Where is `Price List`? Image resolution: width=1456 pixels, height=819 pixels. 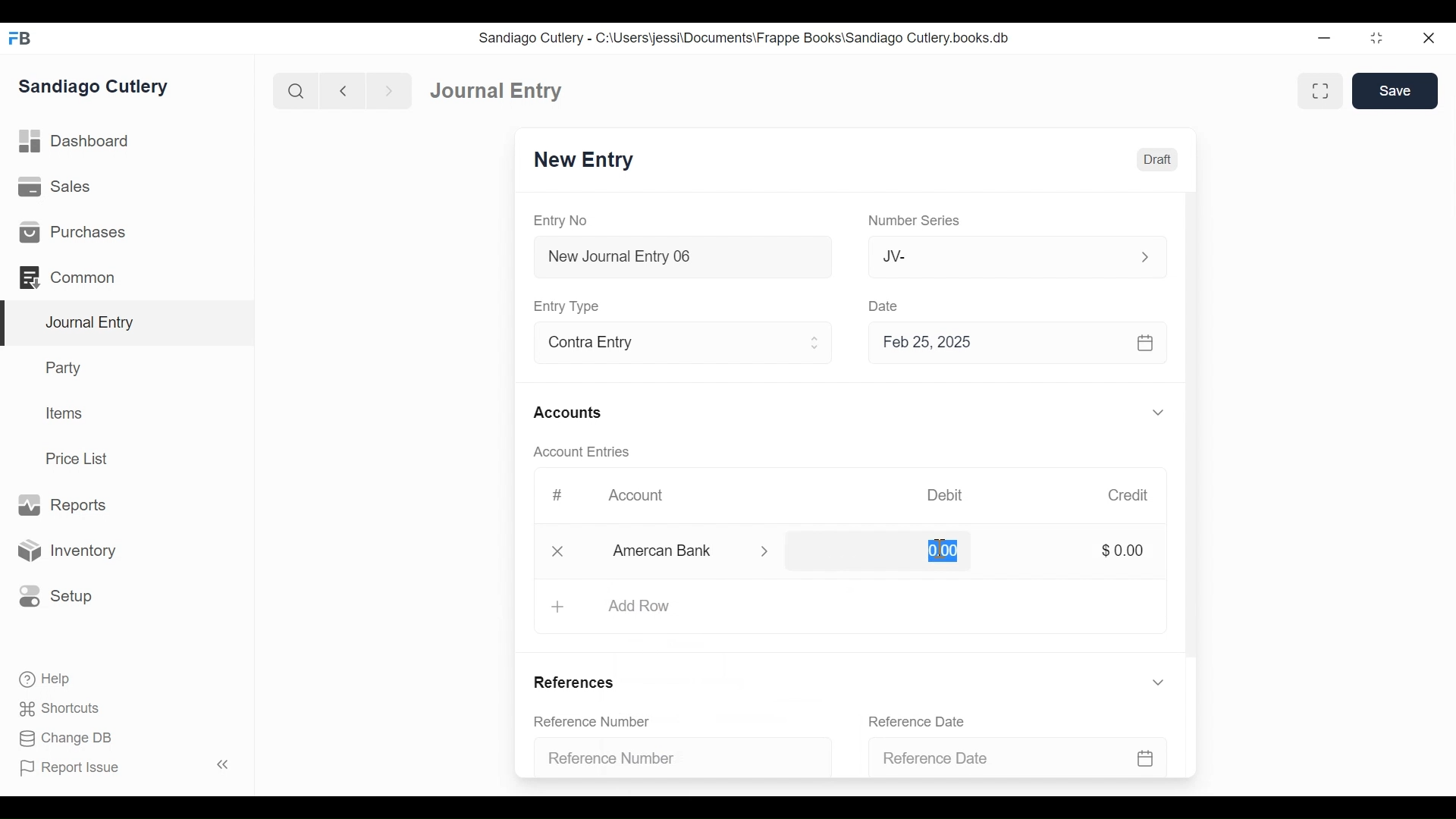 Price List is located at coordinates (82, 459).